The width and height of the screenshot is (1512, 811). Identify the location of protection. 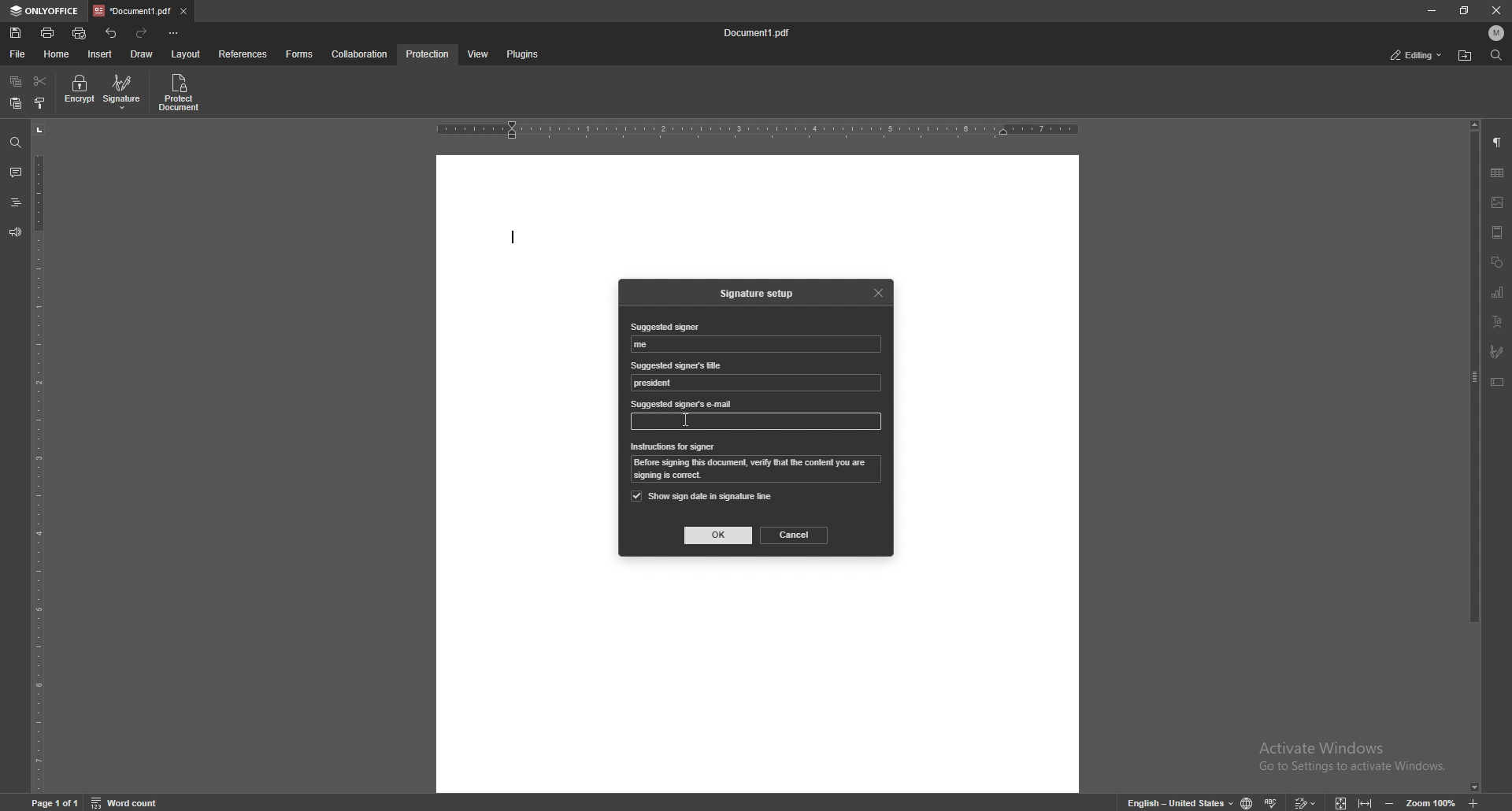
(428, 54).